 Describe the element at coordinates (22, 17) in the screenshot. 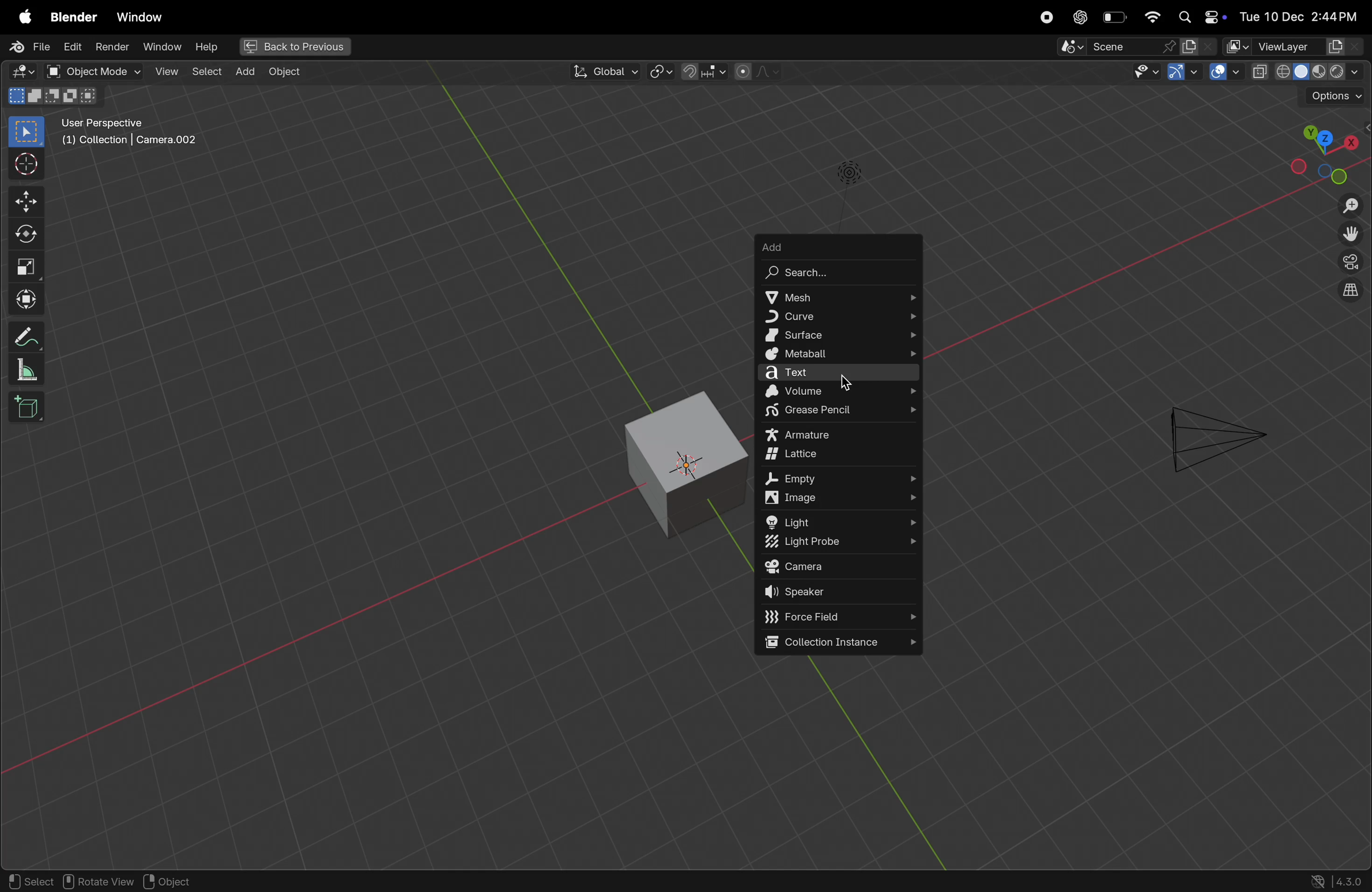

I see `apple menu` at that location.